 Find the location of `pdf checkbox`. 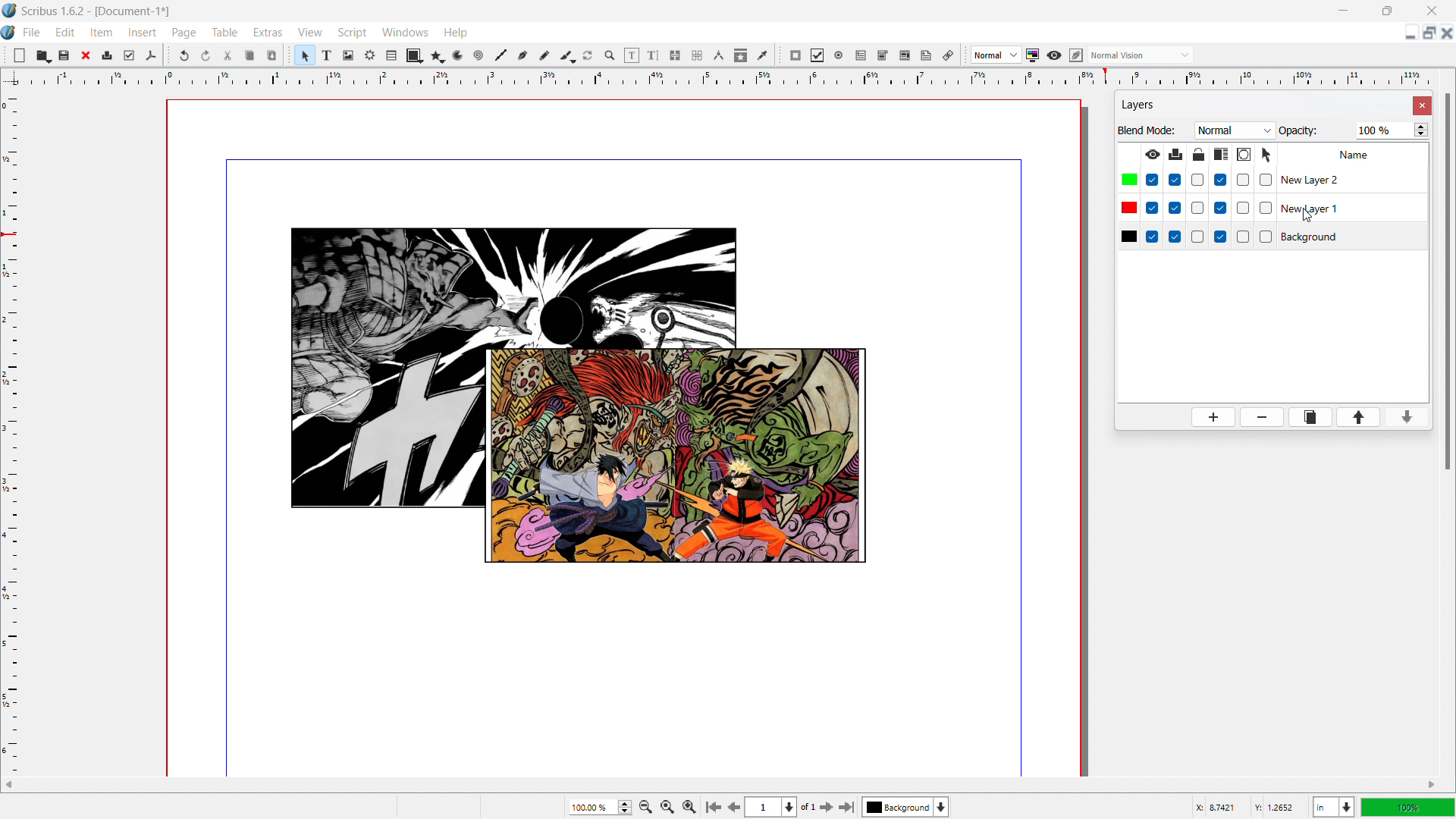

pdf checkbox is located at coordinates (817, 55).